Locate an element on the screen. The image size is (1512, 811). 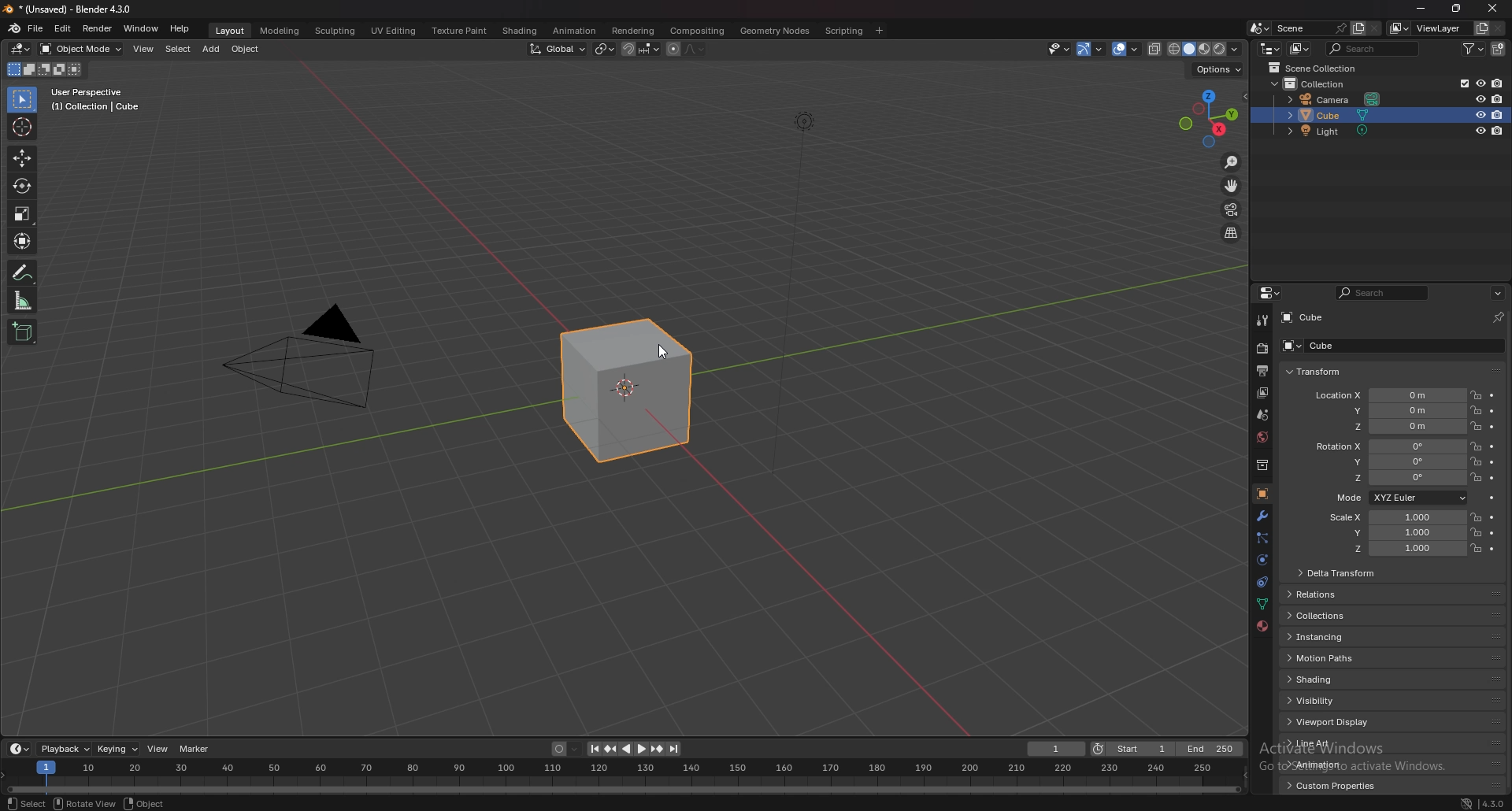
texture paint is located at coordinates (459, 31).